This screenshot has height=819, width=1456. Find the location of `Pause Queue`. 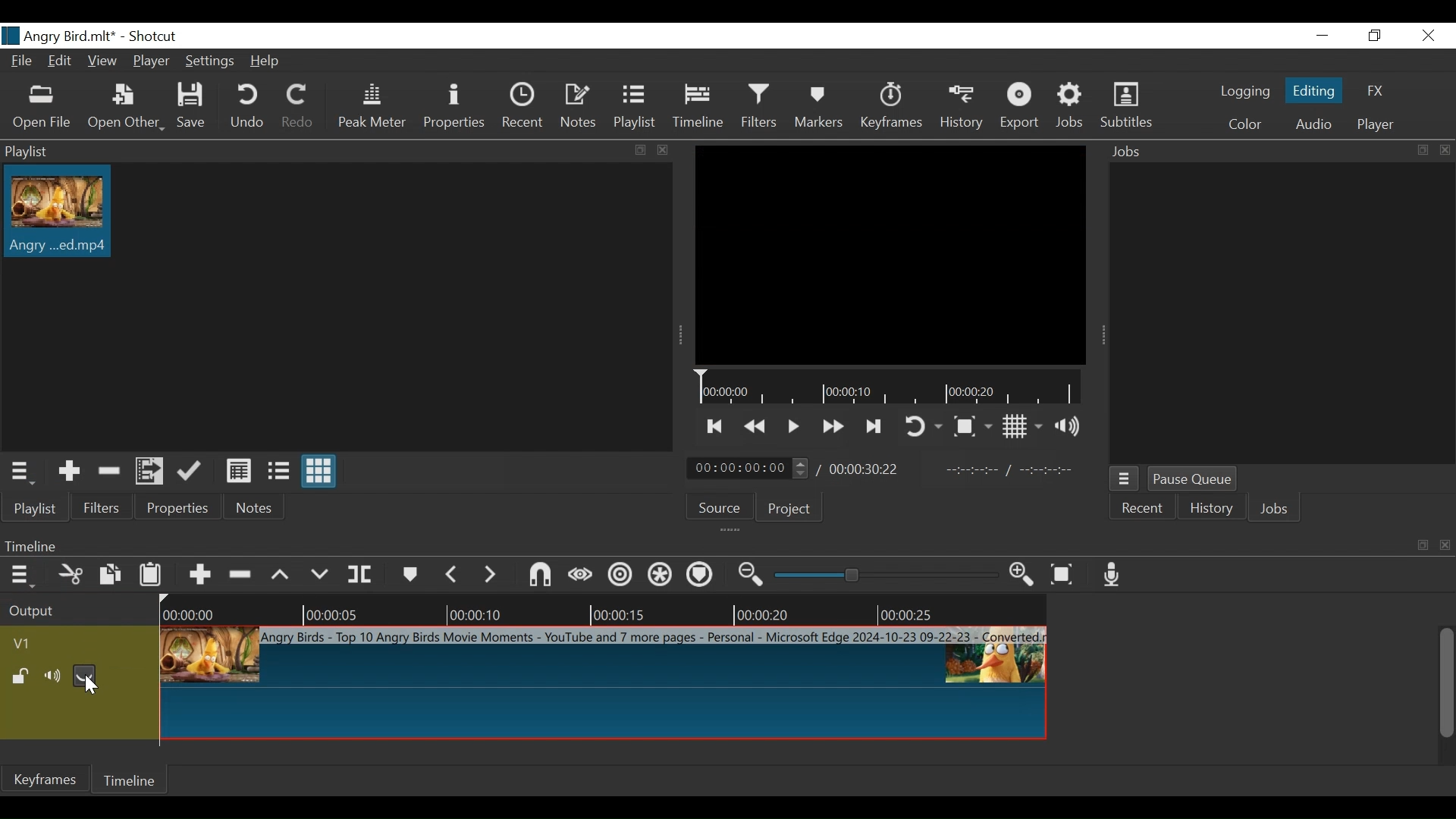

Pause Queue is located at coordinates (1193, 479).